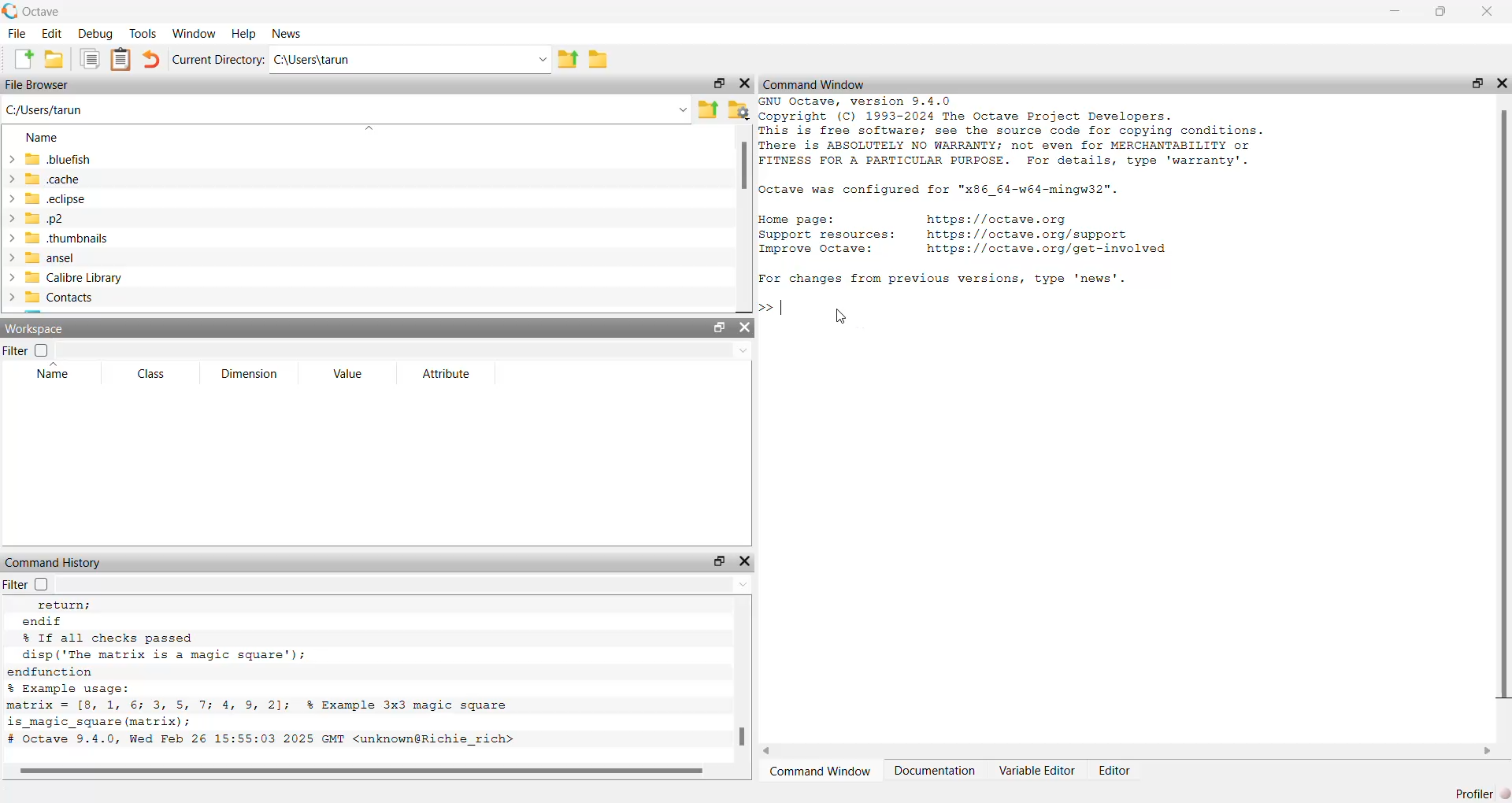  I want to click on Editor, so click(1115, 770).